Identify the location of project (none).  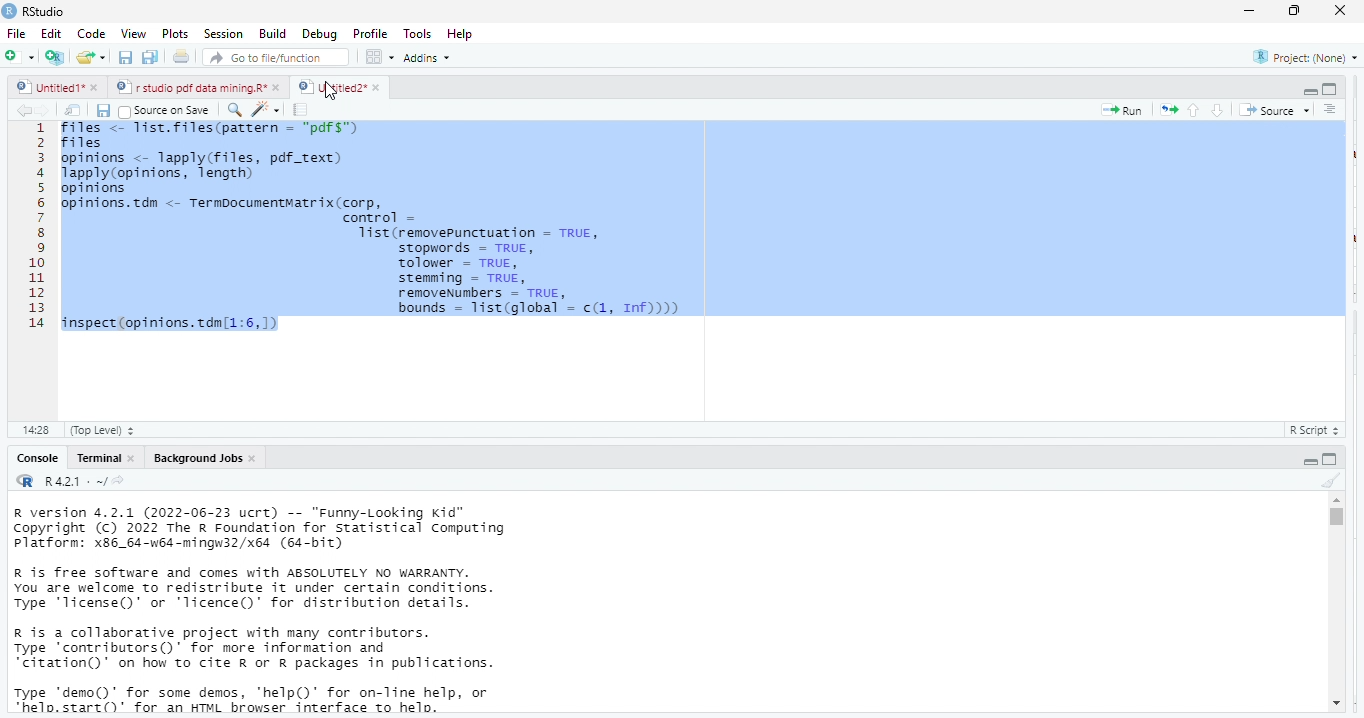
(1300, 57).